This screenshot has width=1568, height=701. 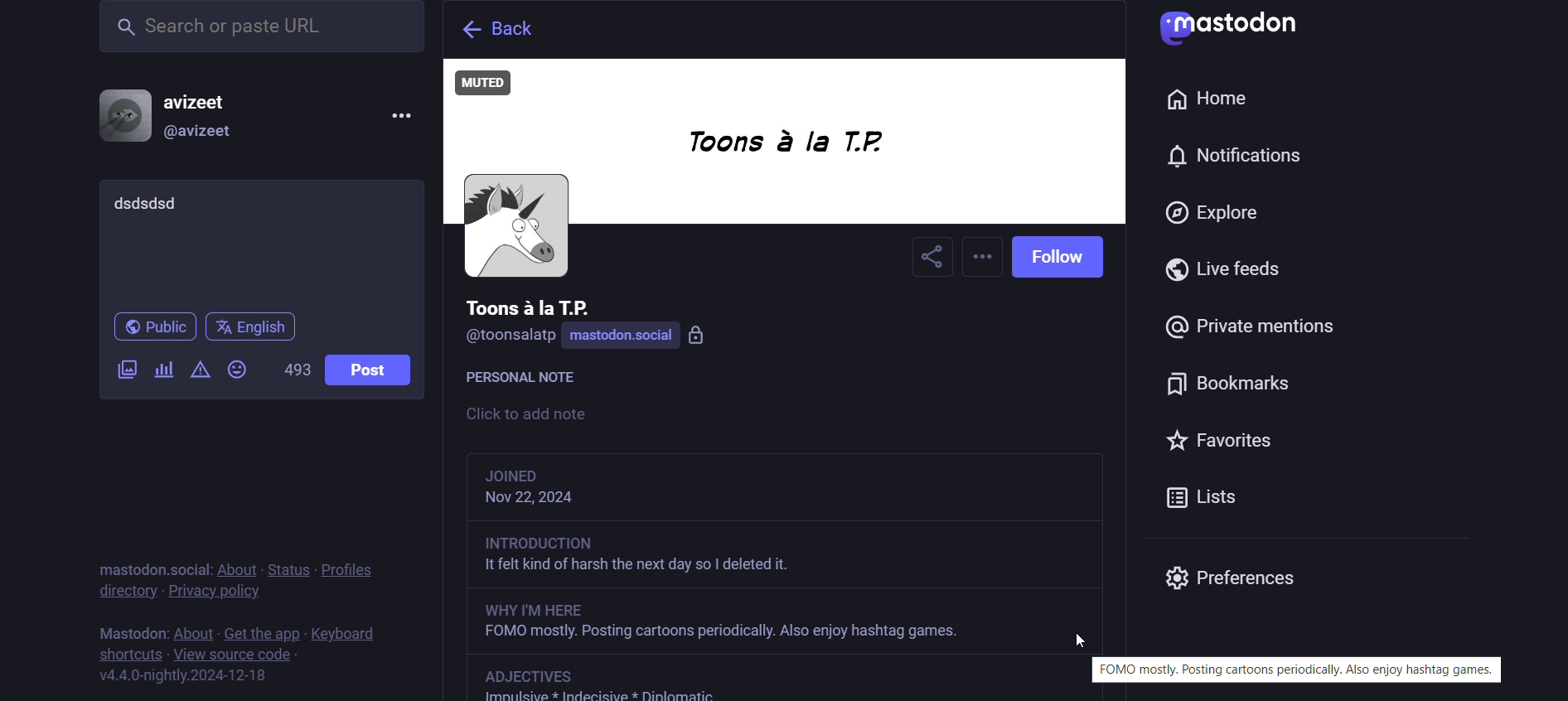 I want to click on preferences, so click(x=1232, y=575).